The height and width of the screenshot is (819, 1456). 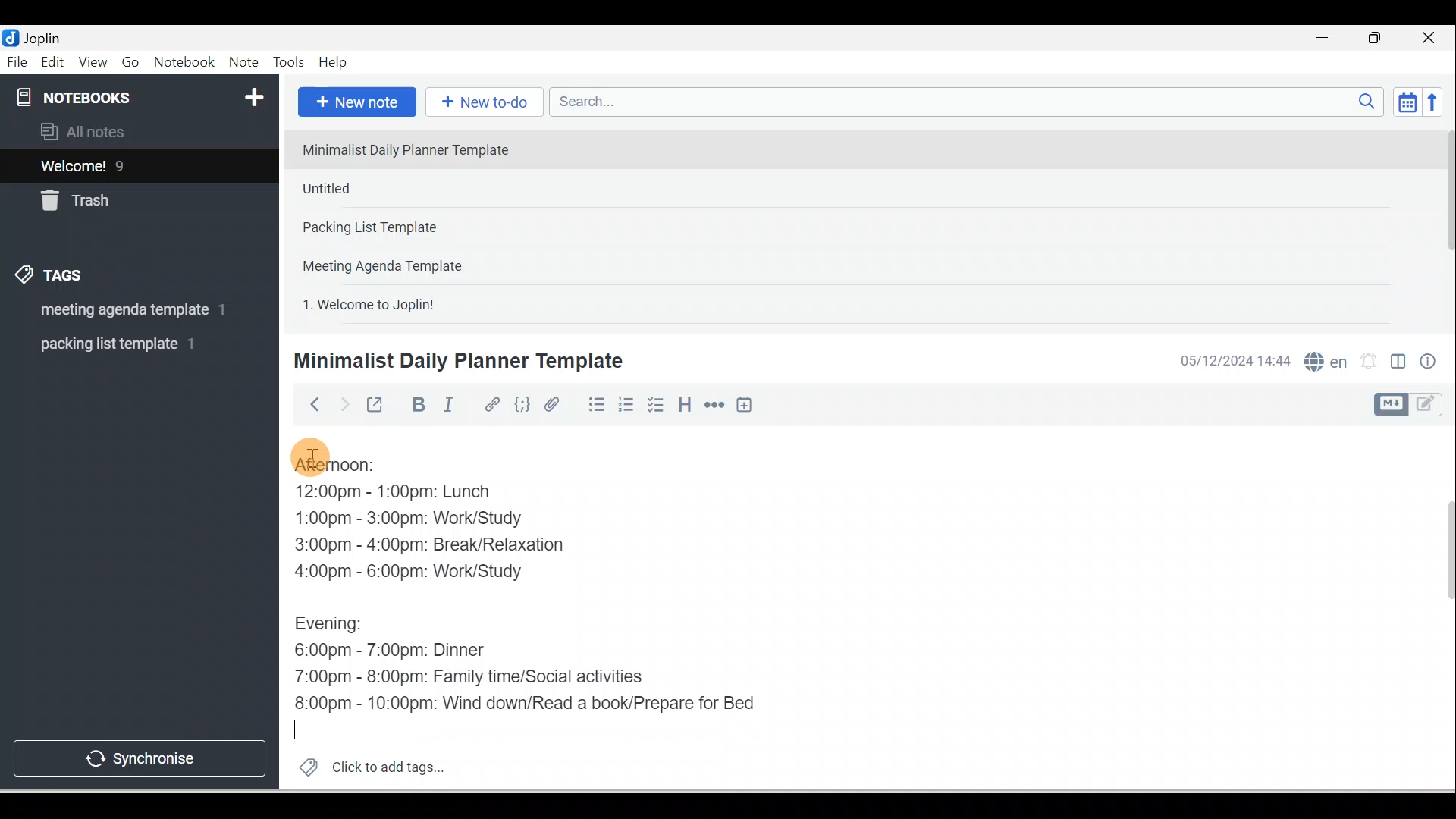 I want to click on Note 1, so click(x=416, y=149).